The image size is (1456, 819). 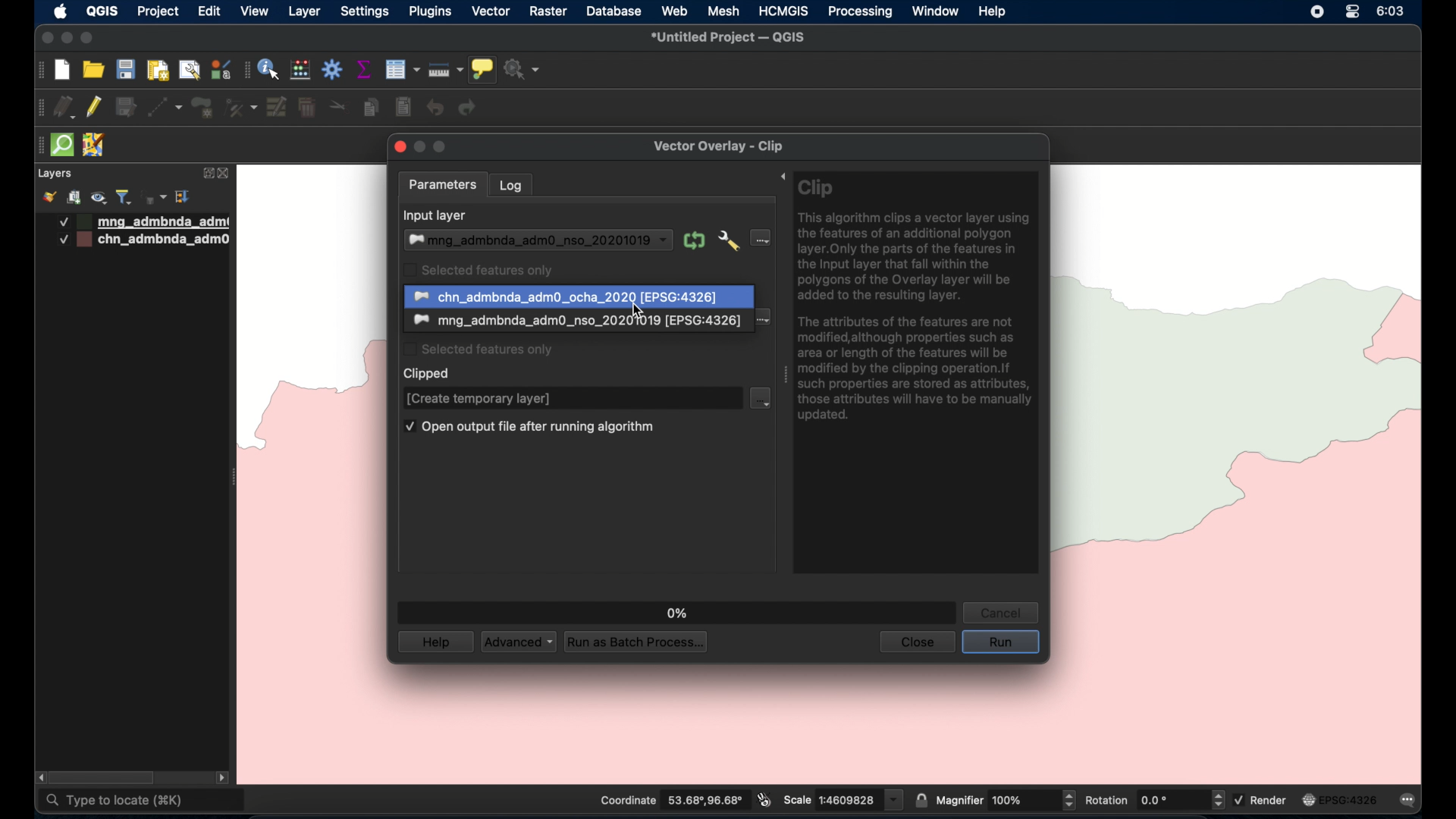 What do you see at coordinates (45, 38) in the screenshot?
I see `close` at bounding box center [45, 38].